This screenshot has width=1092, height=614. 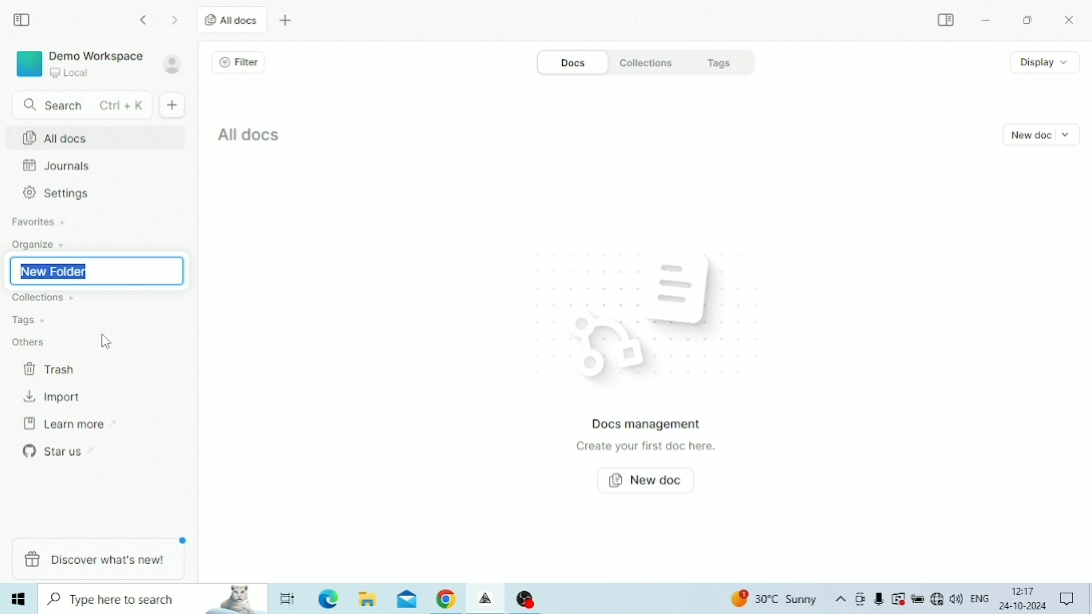 I want to click on New tab, so click(x=287, y=21).